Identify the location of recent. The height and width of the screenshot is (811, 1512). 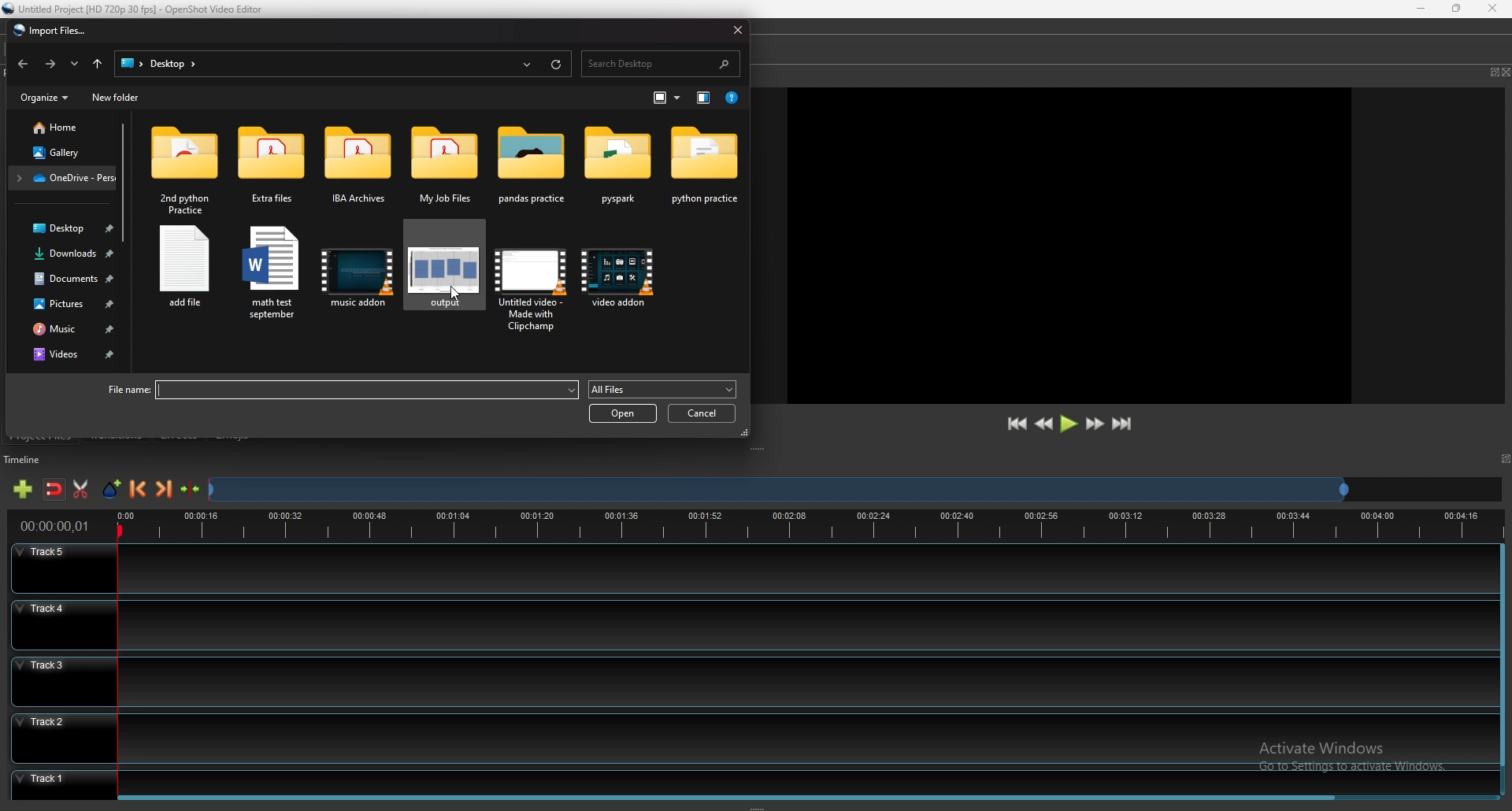
(528, 65).